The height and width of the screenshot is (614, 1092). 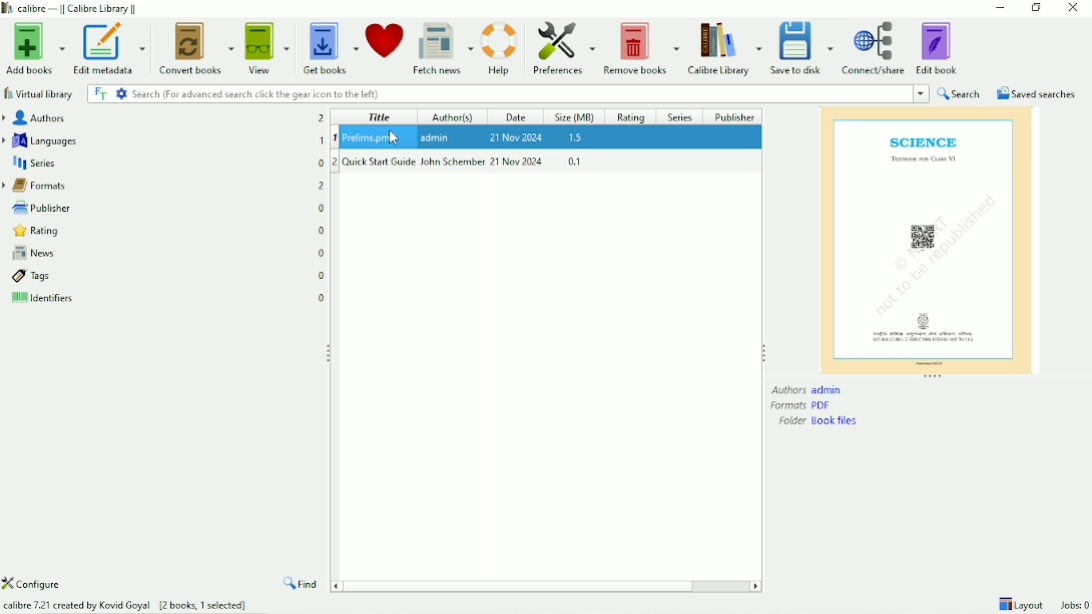 I want to click on Search, so click(x=499, y=93).